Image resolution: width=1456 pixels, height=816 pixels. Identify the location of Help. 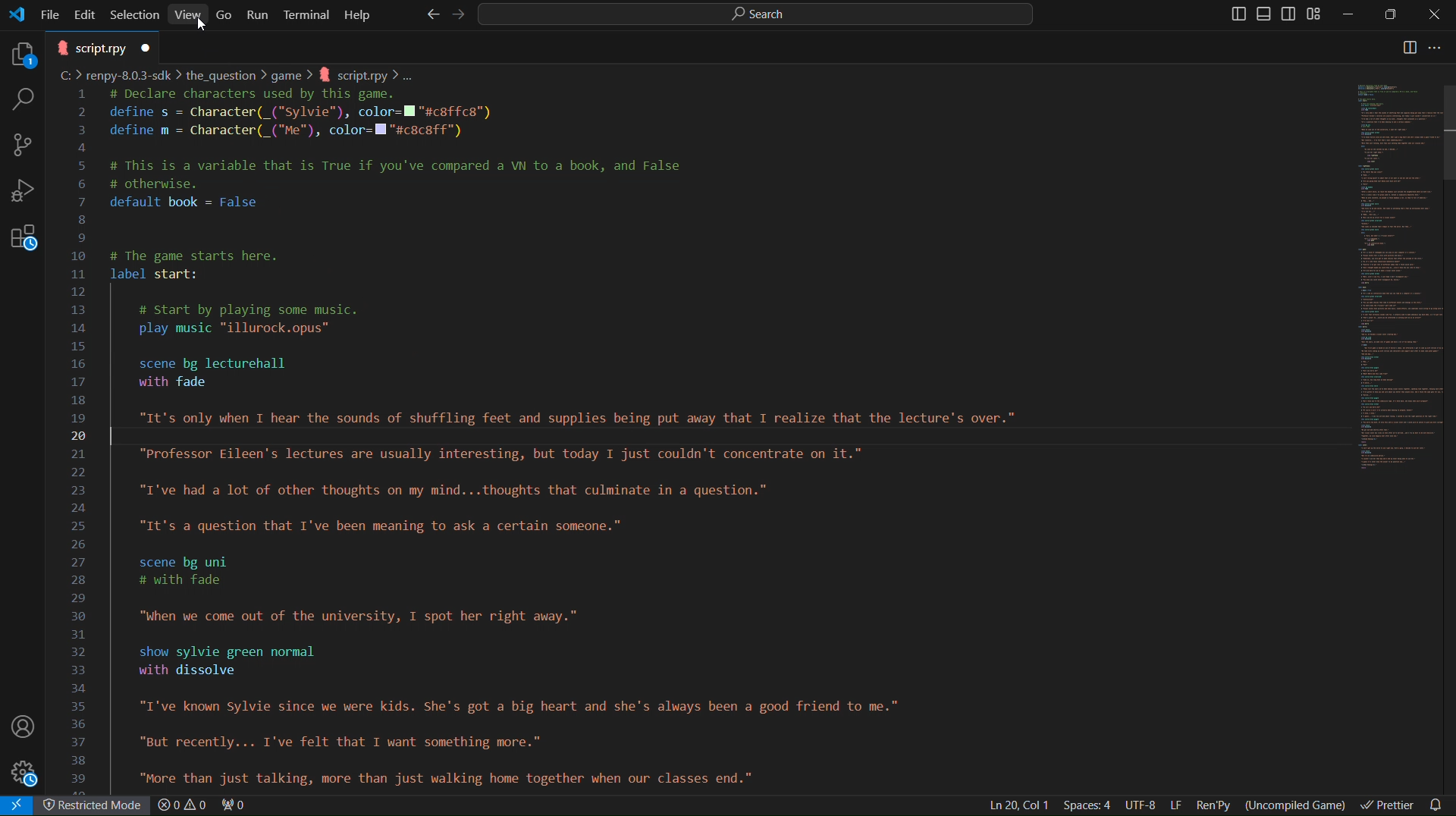
(357, 14).